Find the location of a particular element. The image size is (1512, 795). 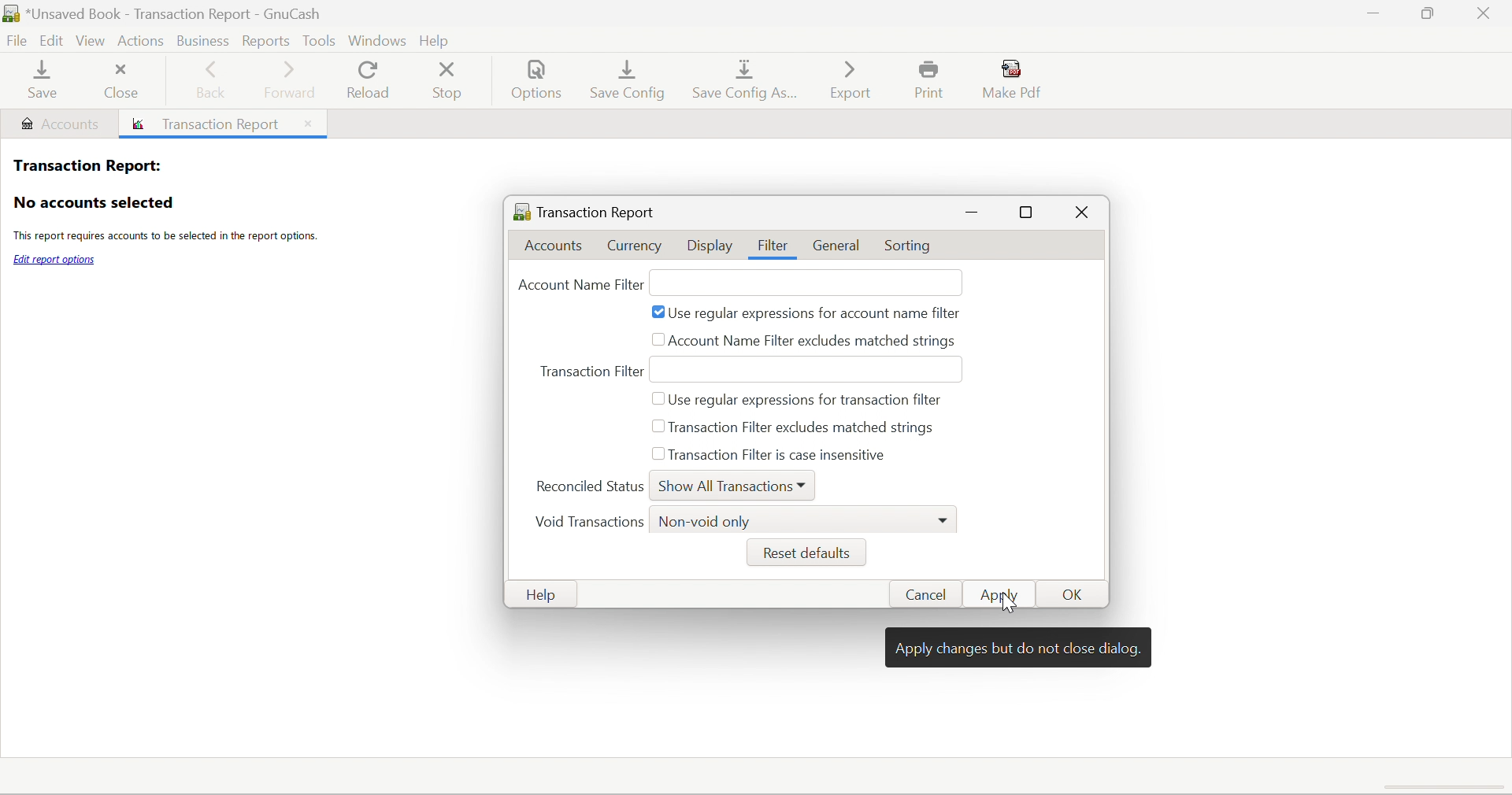

Business is located at coordinates (201, 39).